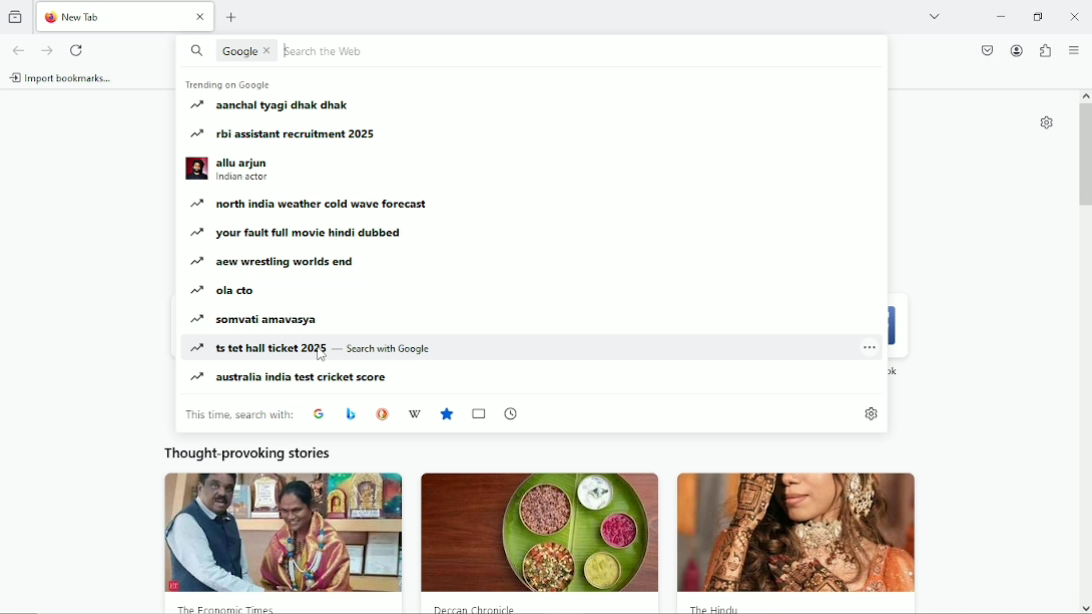 This screenshot has height=614, width=1092. Describe the element at coordinates (291, 379) in the screenshot. I see `australia india test cricket score` at that location.